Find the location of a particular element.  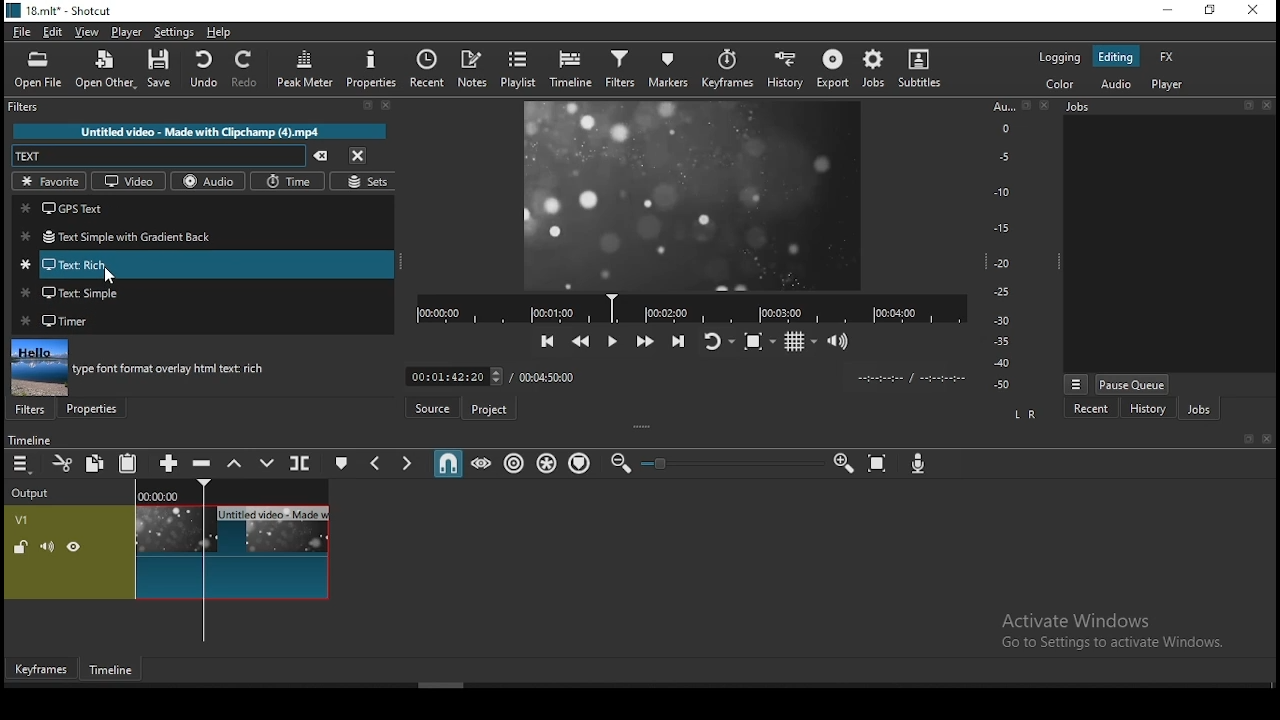

timer is located at coordinates (204, 324).